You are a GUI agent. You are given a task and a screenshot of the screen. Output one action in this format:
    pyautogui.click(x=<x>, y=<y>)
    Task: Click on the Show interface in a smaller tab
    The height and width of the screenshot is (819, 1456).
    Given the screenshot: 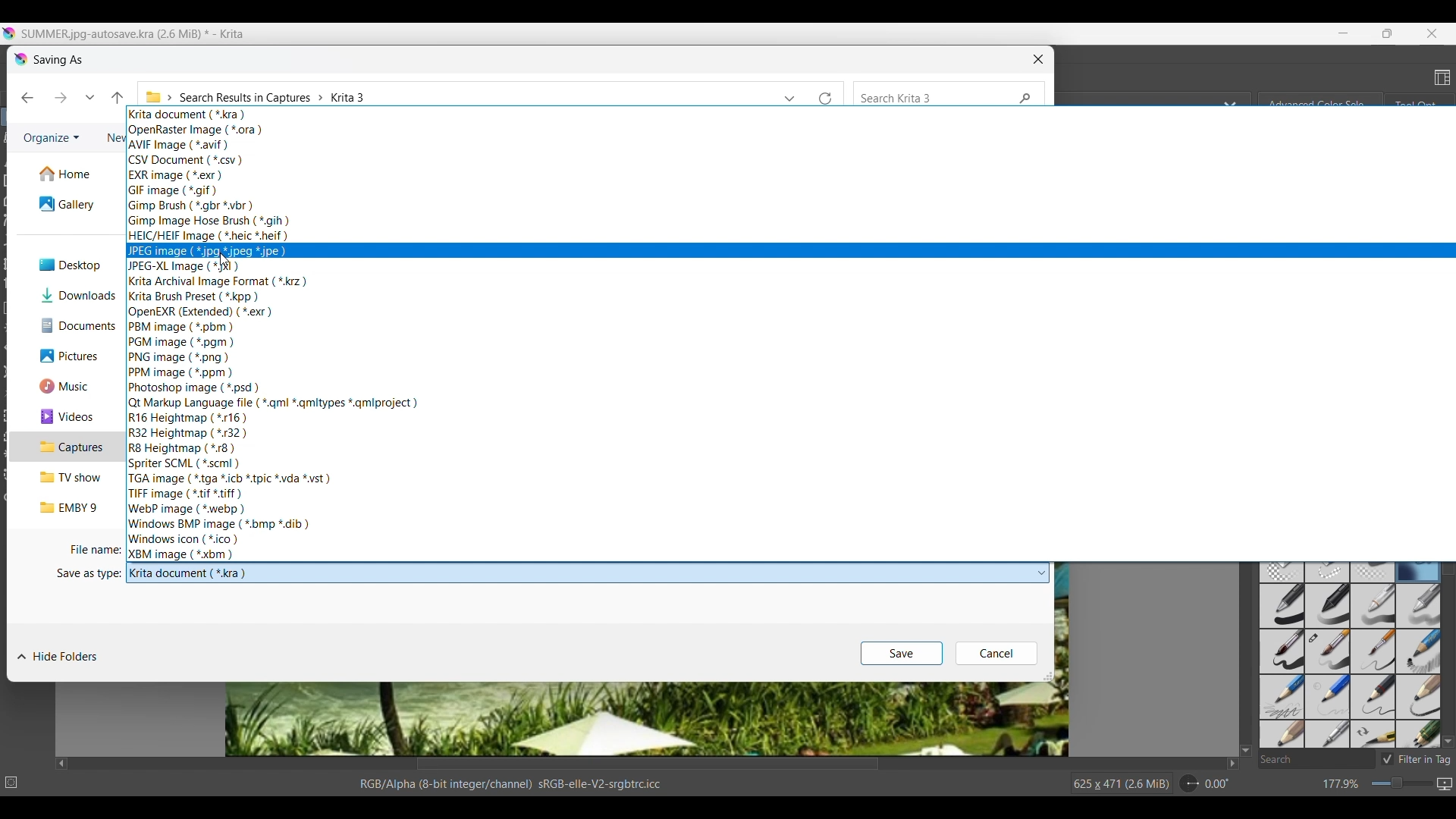 What is the action you would take?
    pyautogui.click(x=1388, y=33)
    